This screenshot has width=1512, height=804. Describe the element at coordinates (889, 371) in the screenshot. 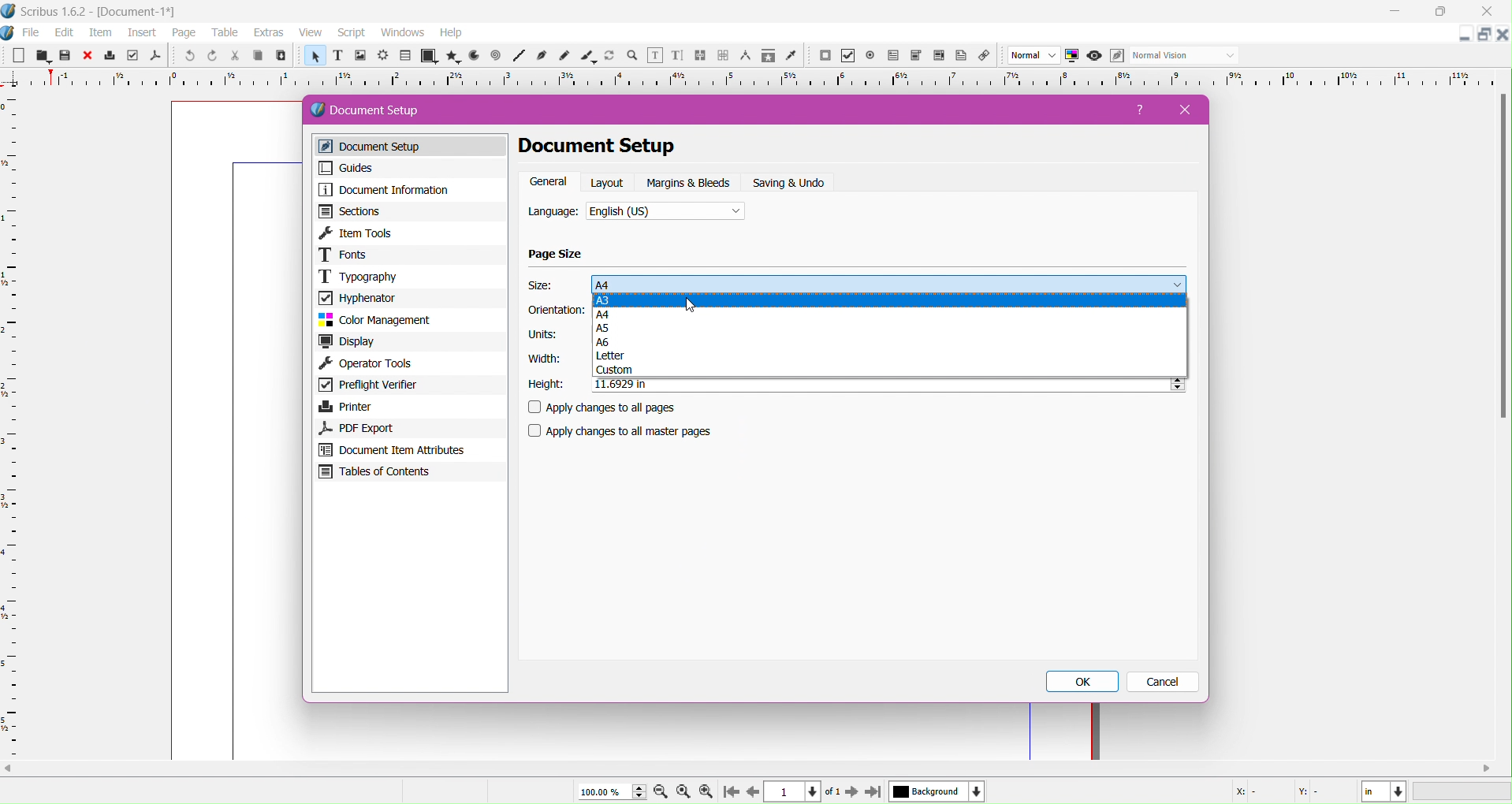

I see `Custom` at that location.